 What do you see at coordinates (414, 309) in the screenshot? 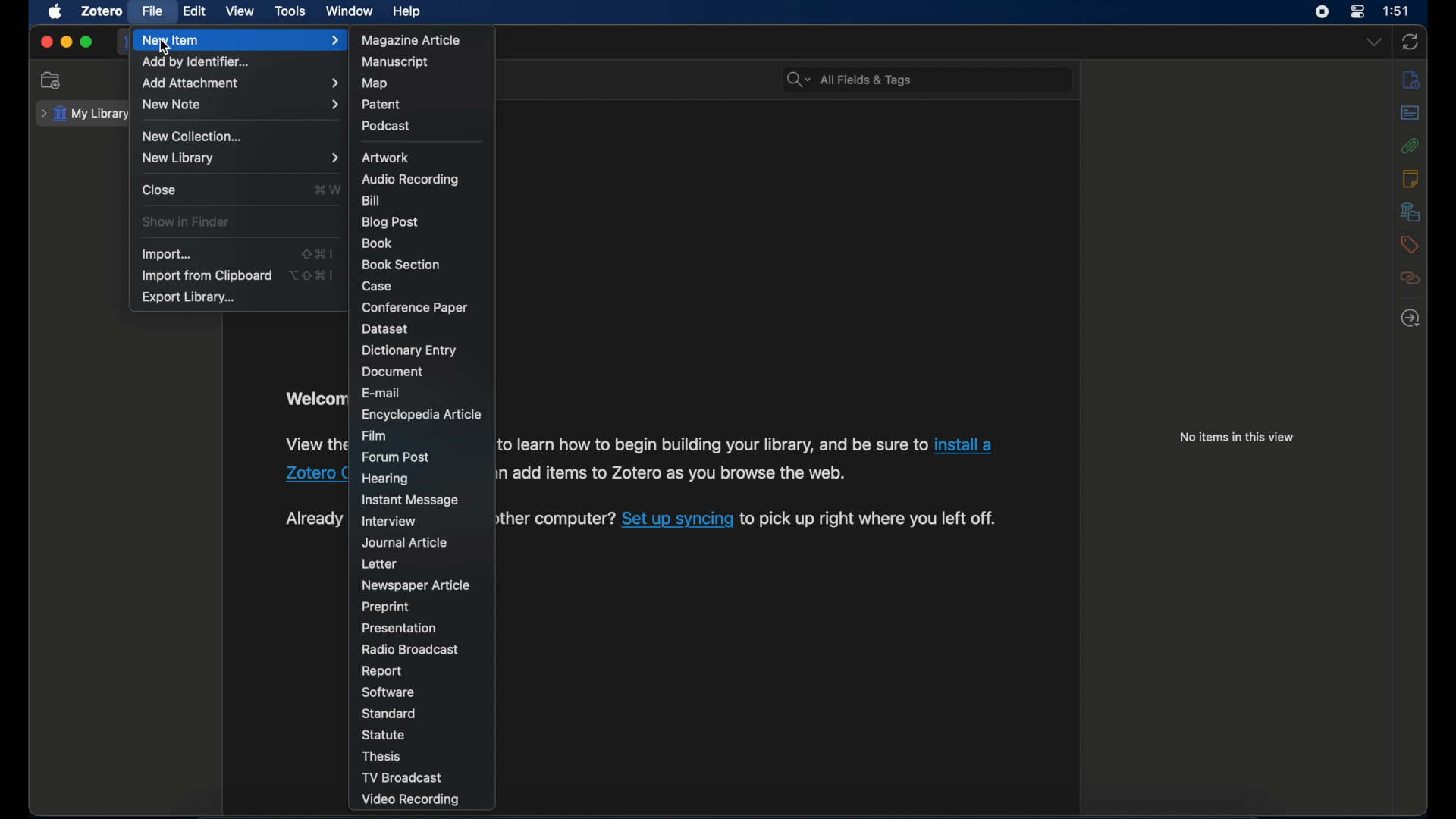
I see `conference paper` at bounding box center [414, 309].